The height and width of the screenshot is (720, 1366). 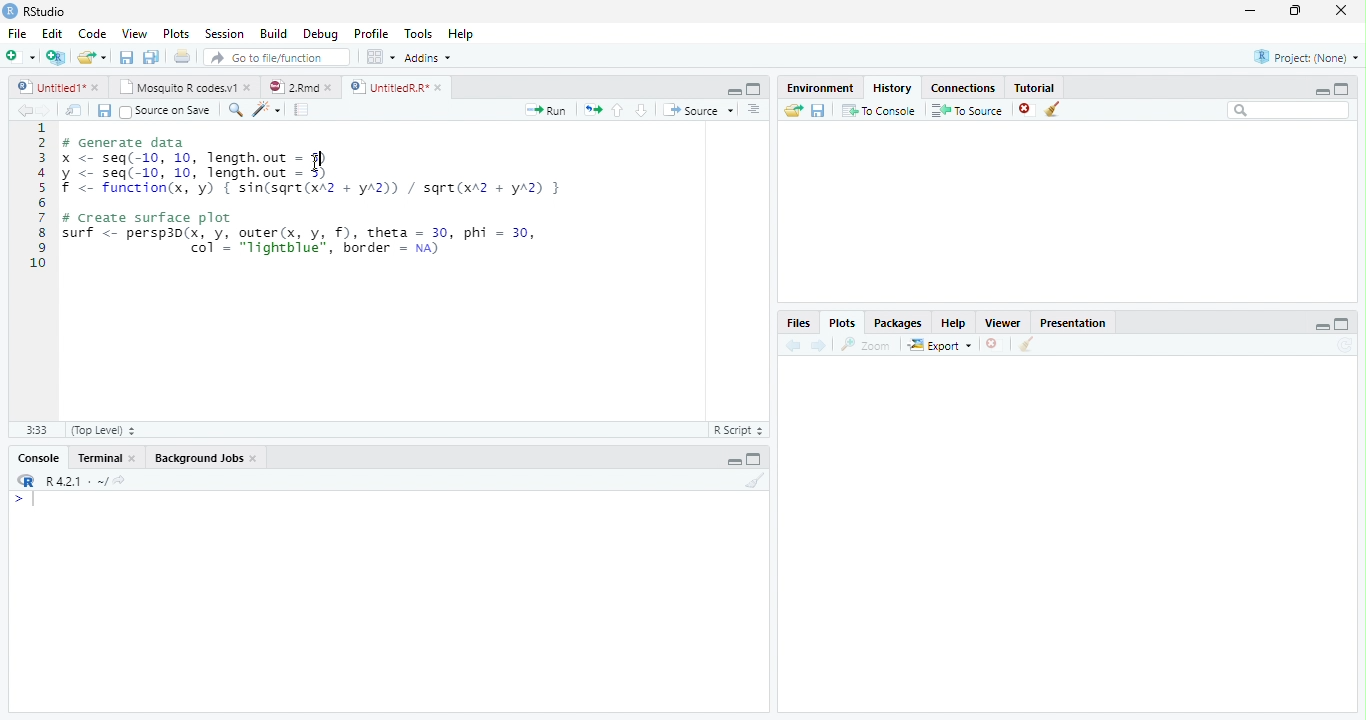 I want to click on Code, so click(x=91, y=33).